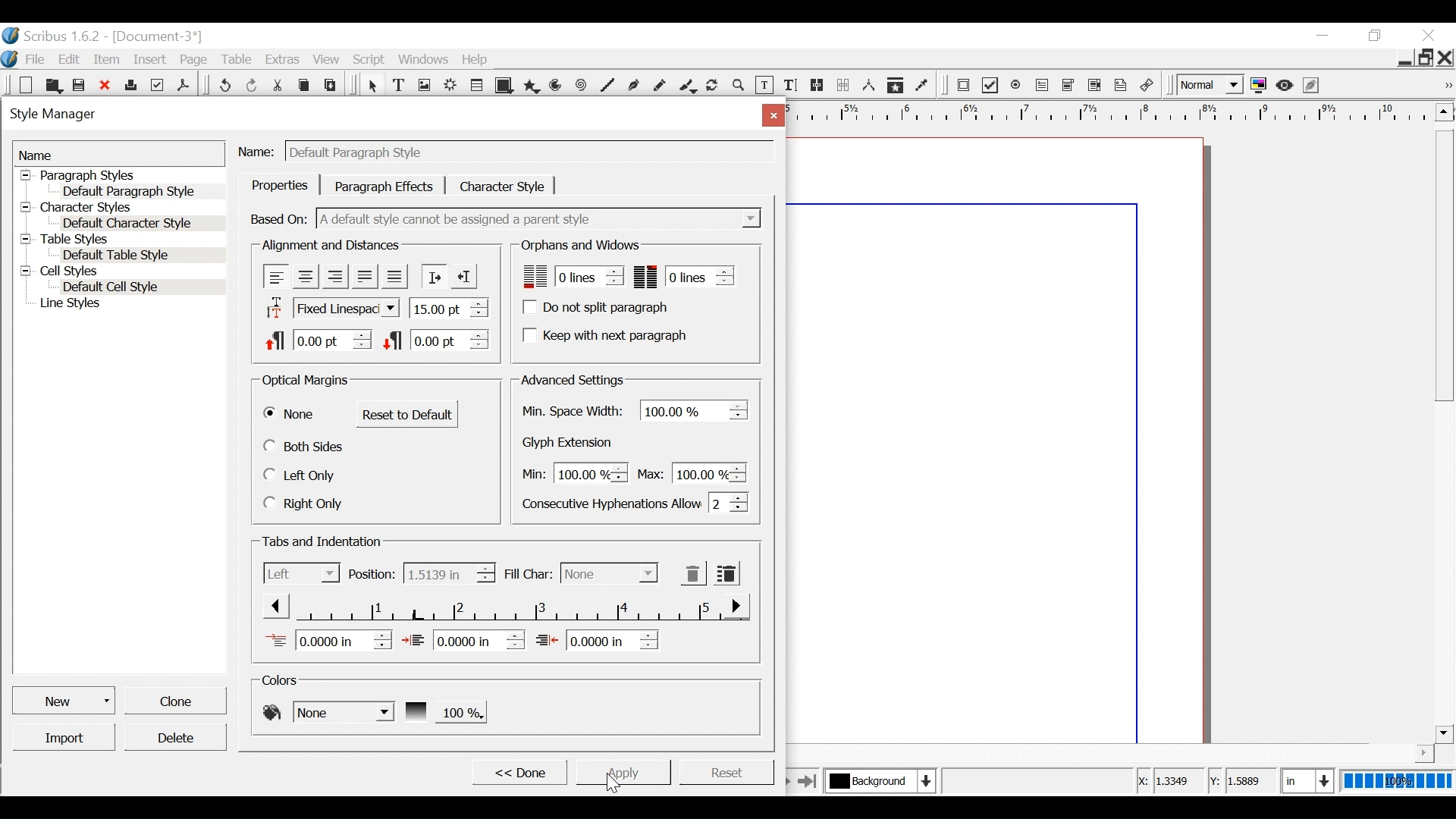  What do you see at coordinates (324, 542) in the screenshot?
I see `Tabs and Indentation` at bounding box center [324, 542].